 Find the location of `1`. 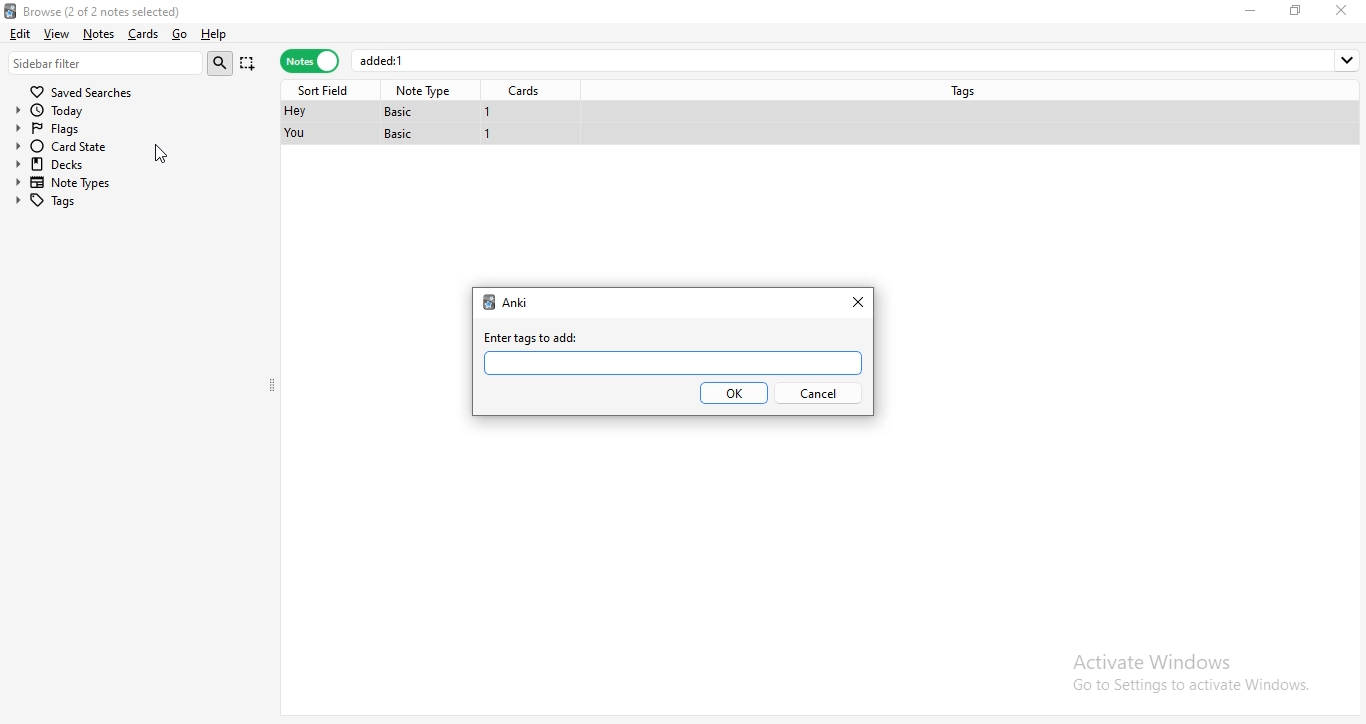

1 is located at coordinates (490, 136).